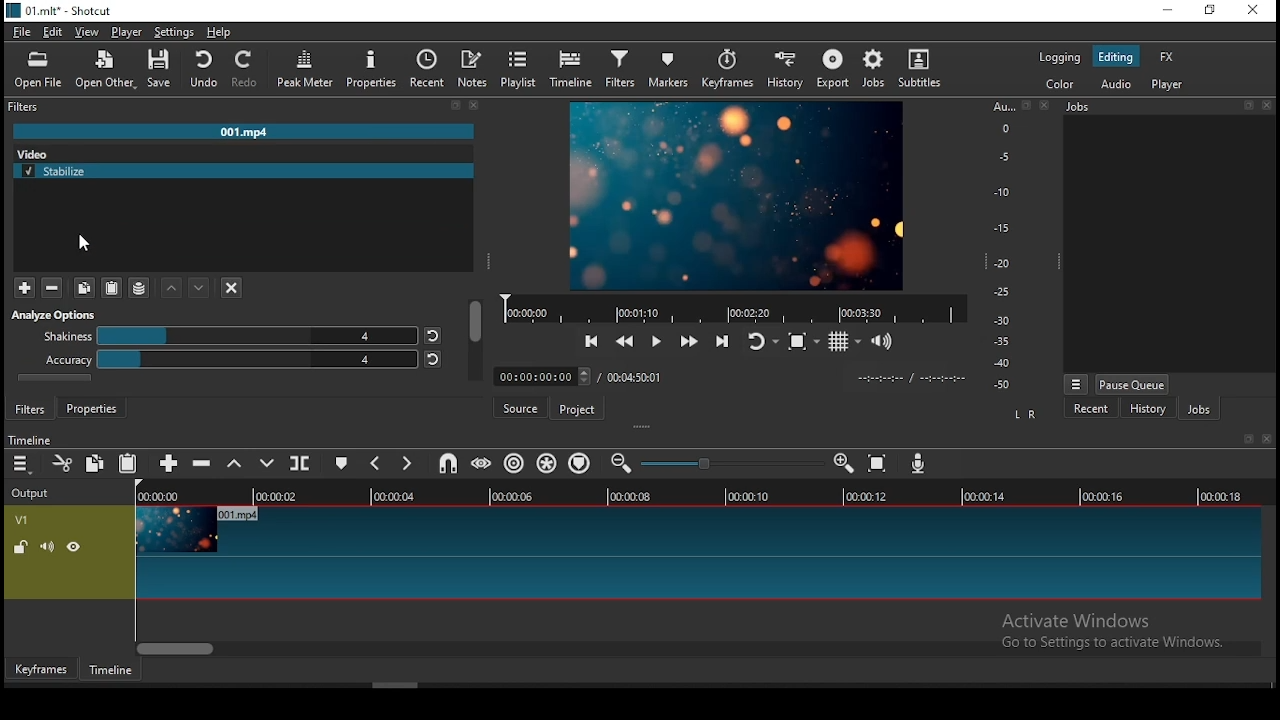 The image size is (1280, 720). I want to click on timeline menu, so click(23, 464).